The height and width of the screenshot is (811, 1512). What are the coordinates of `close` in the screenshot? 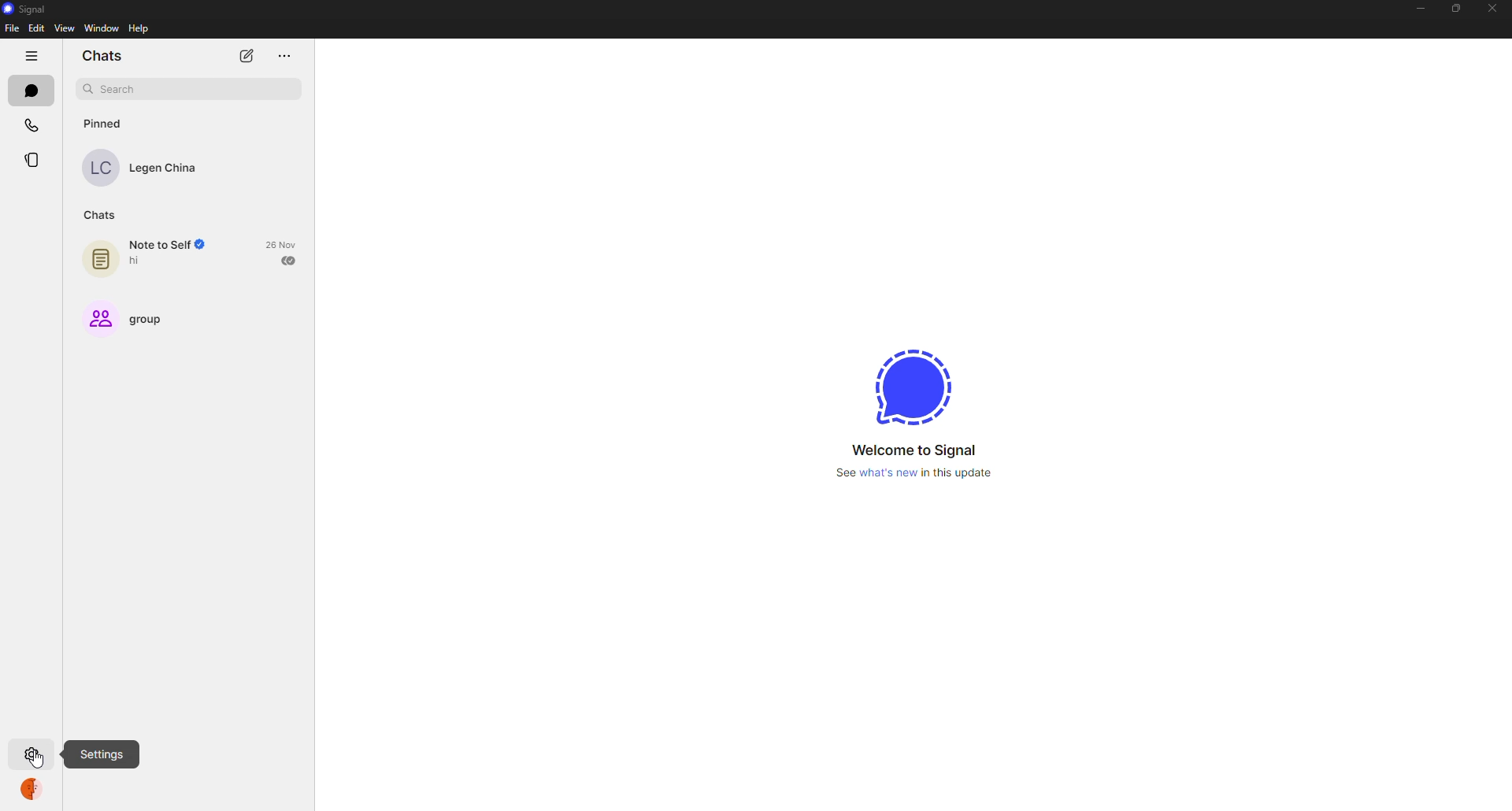 It's located at (1493, 9).